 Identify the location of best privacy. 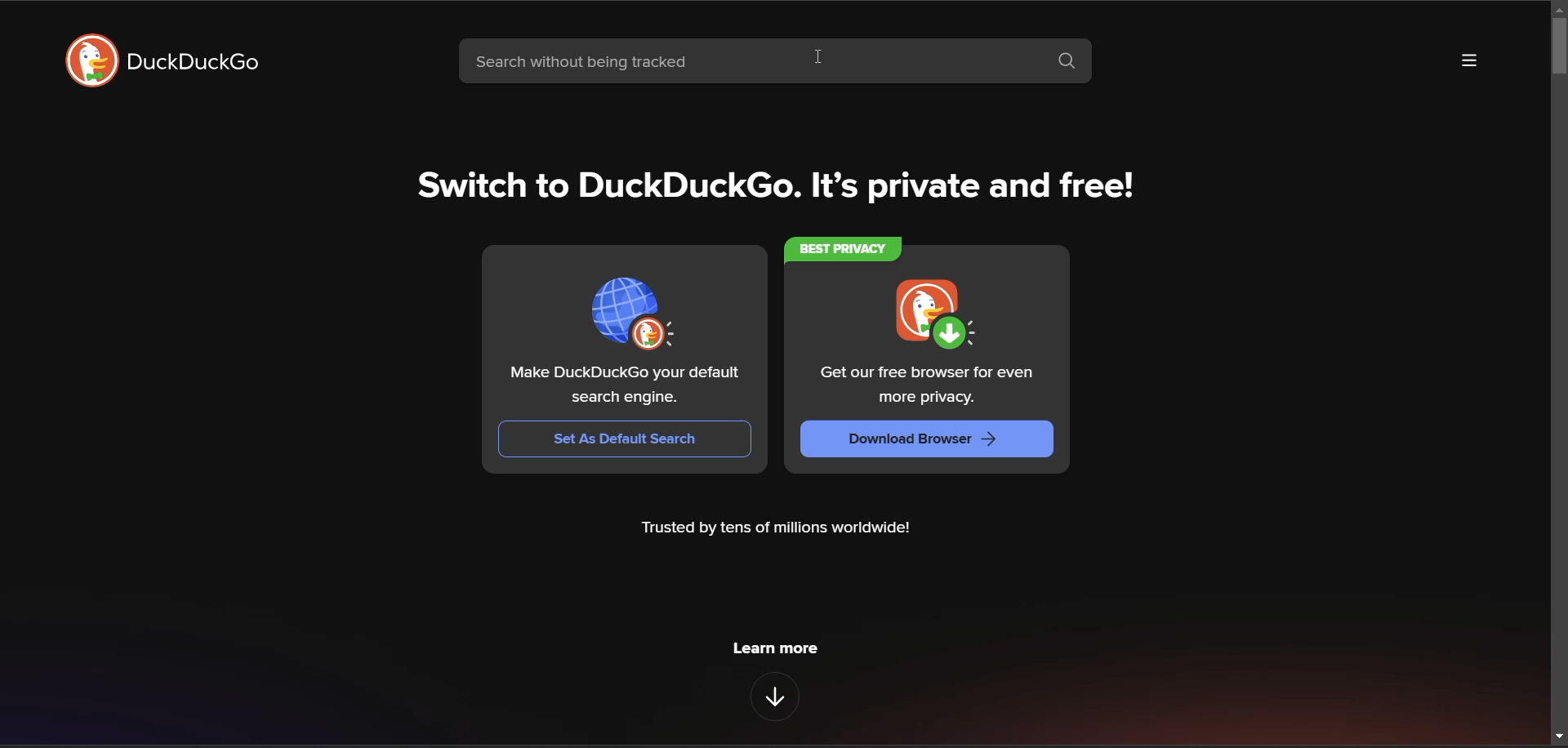
(839, 250).